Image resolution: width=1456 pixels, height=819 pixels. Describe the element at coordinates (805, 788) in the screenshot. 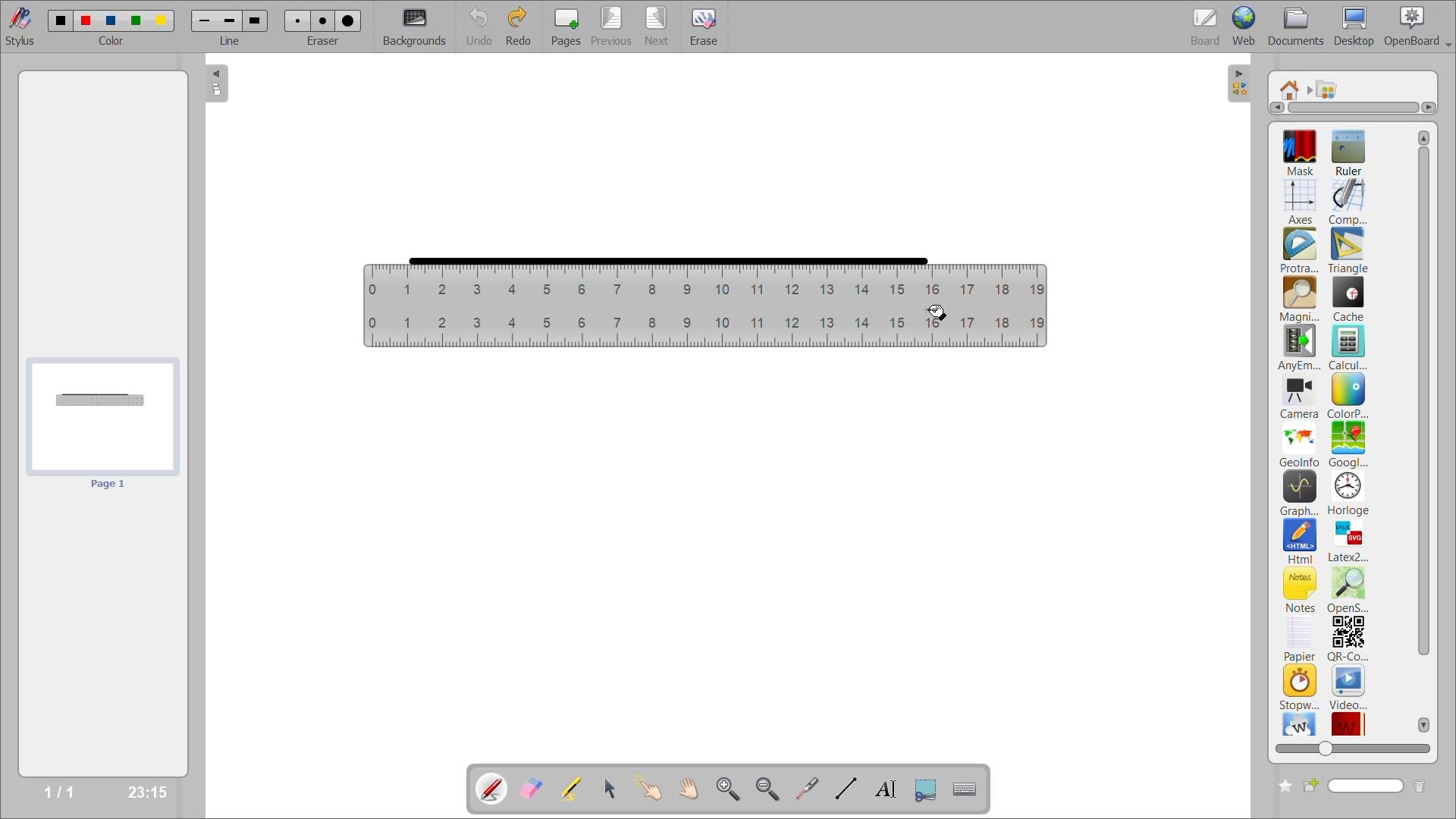

I see `virtual laser pointer` at that location.